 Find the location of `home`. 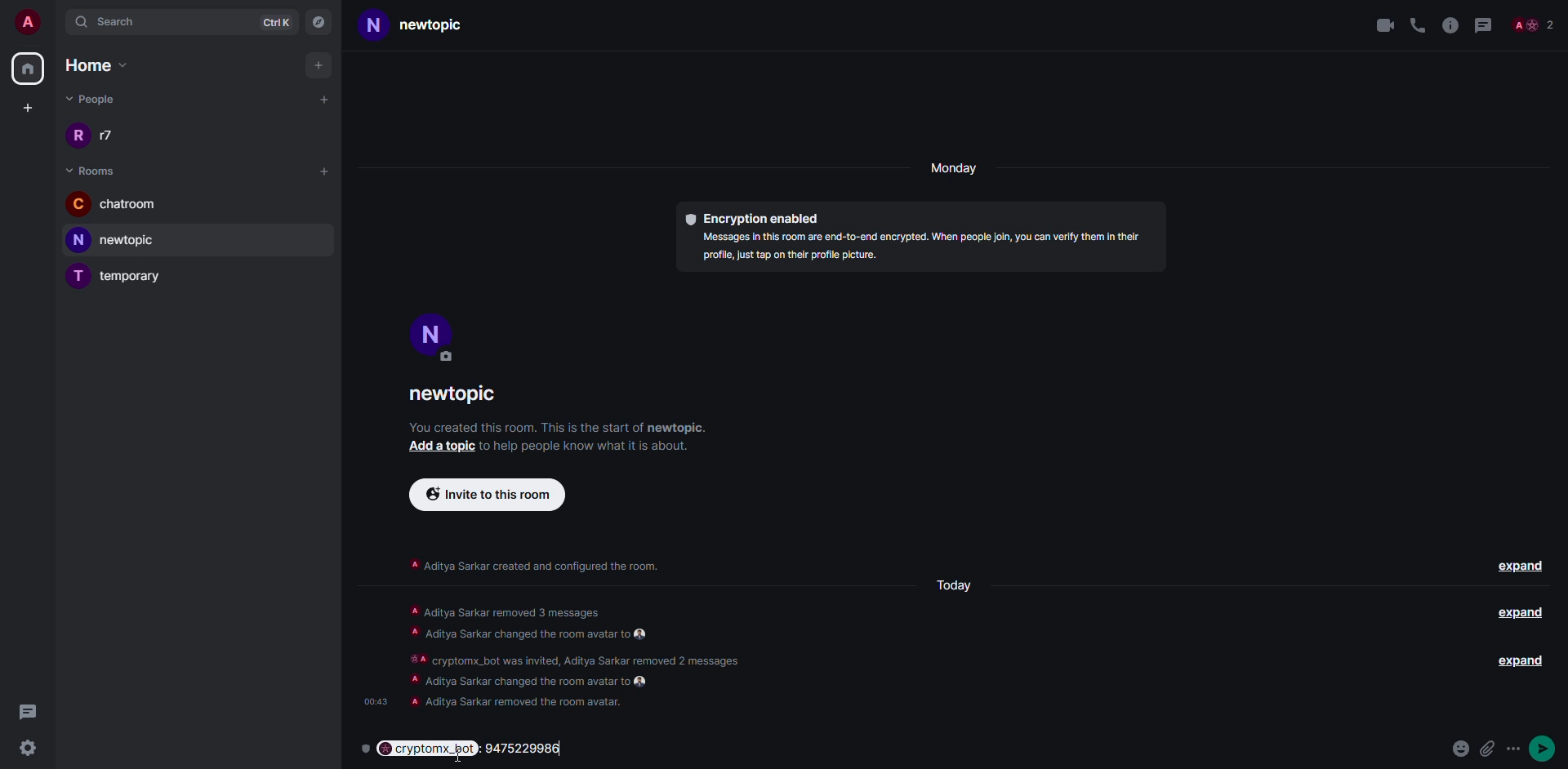

home is located at coordinates (106, 65).